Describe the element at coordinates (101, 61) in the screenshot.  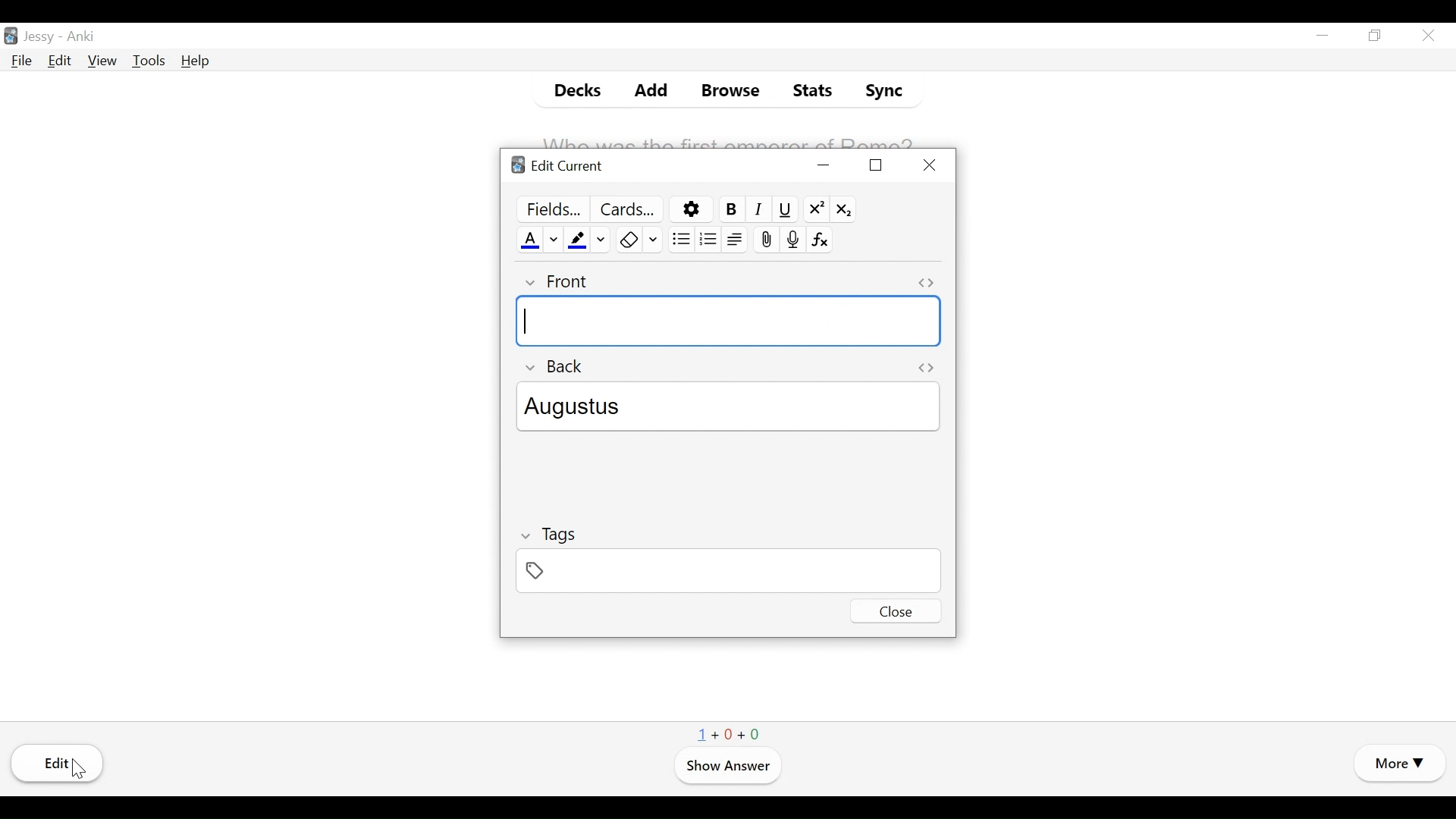
I see `View` at that location.